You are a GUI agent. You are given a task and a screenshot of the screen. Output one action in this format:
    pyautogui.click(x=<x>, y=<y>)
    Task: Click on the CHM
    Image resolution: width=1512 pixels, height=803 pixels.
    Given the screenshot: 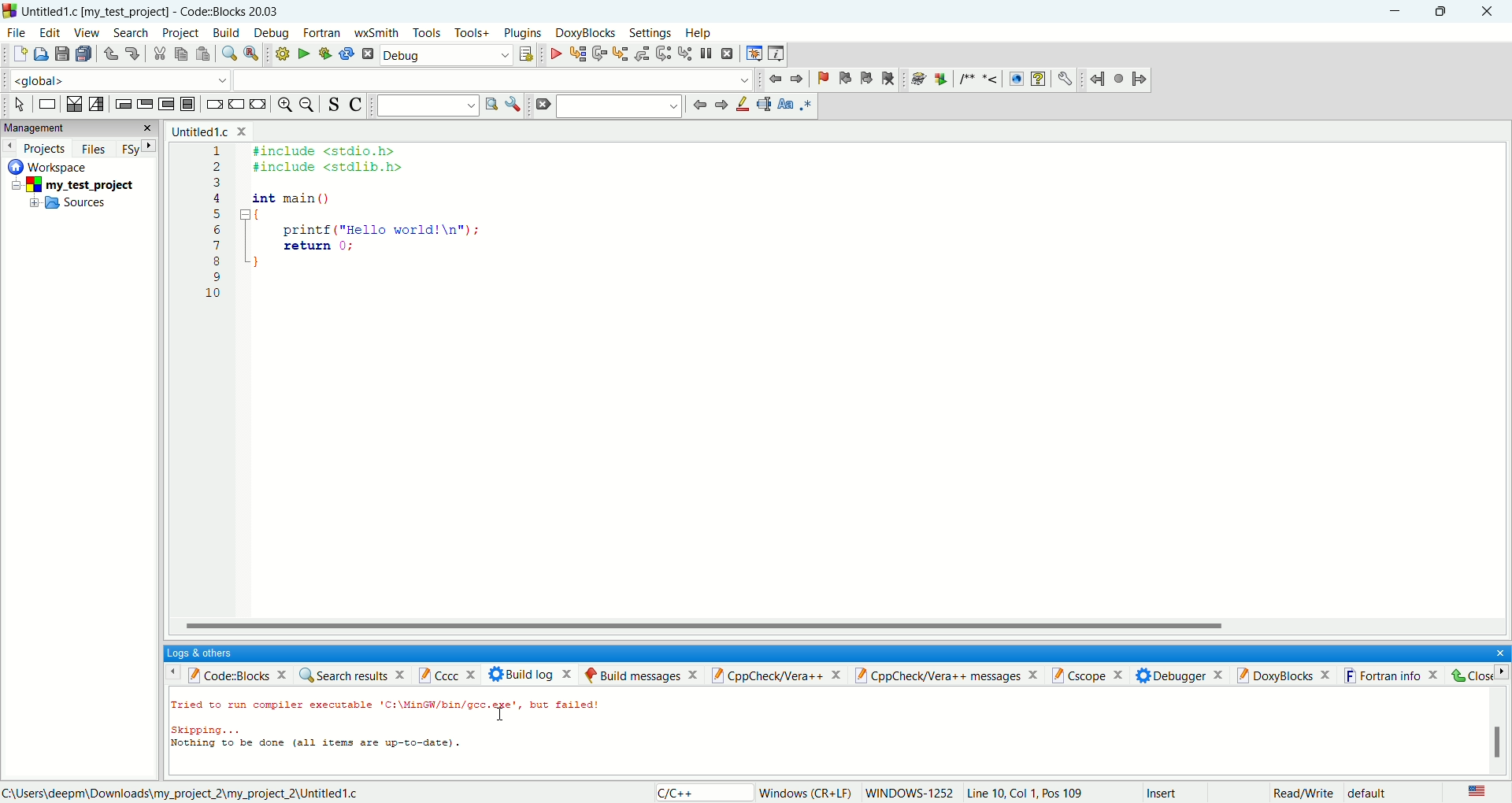 What is the action you would take?
    pyautogui.click(x=1038, y=80)
    